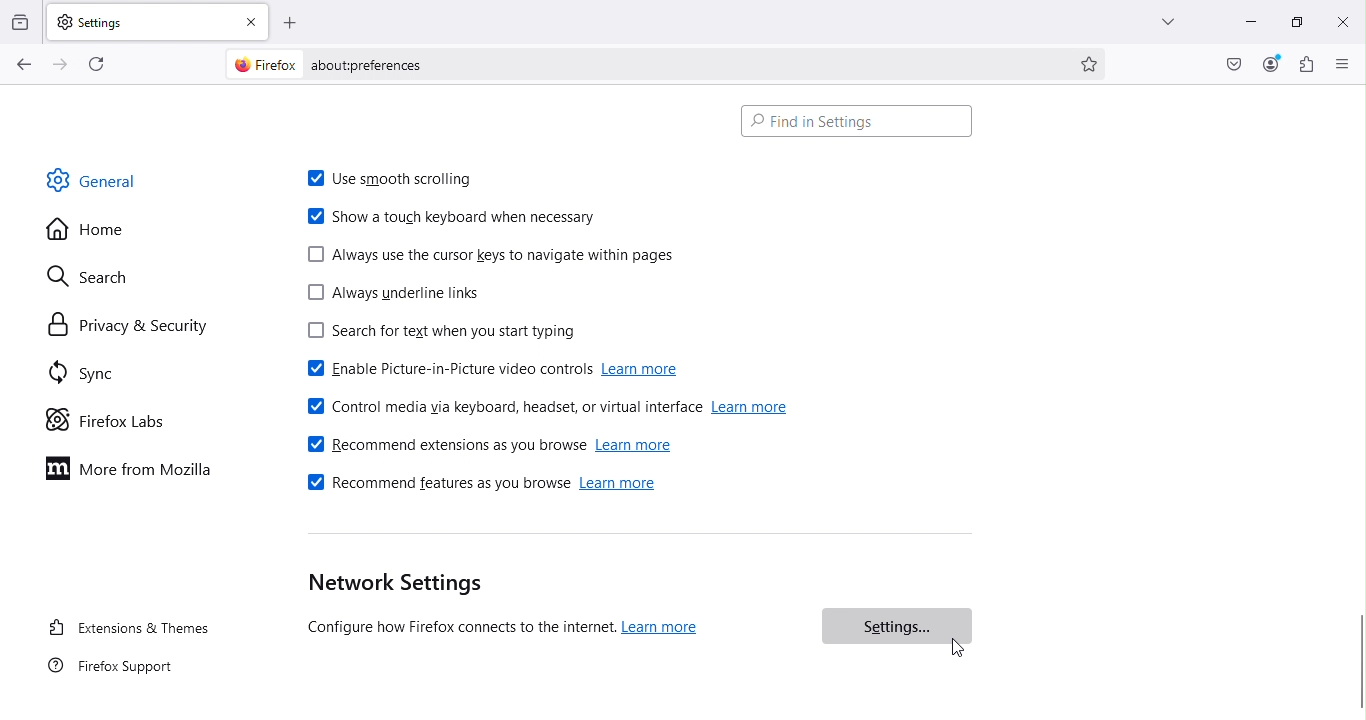 This screenshot has height=720, width=1366. I want to click on Firefox labs, so click(116, 417).